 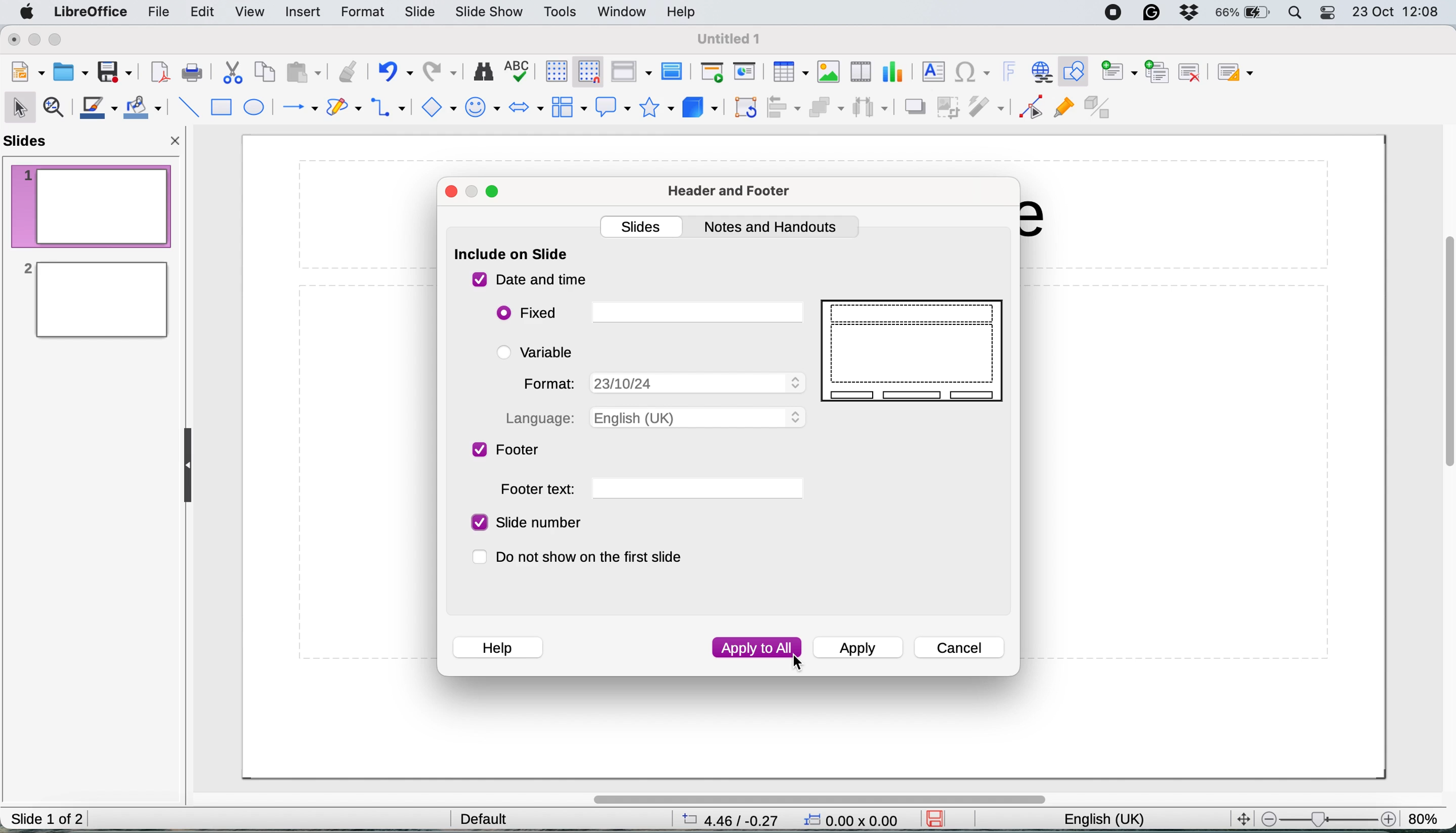 What do you see at coordinates (829, 71) in the screenshot?
I see `insert chart` at bounding box center [829, 71].